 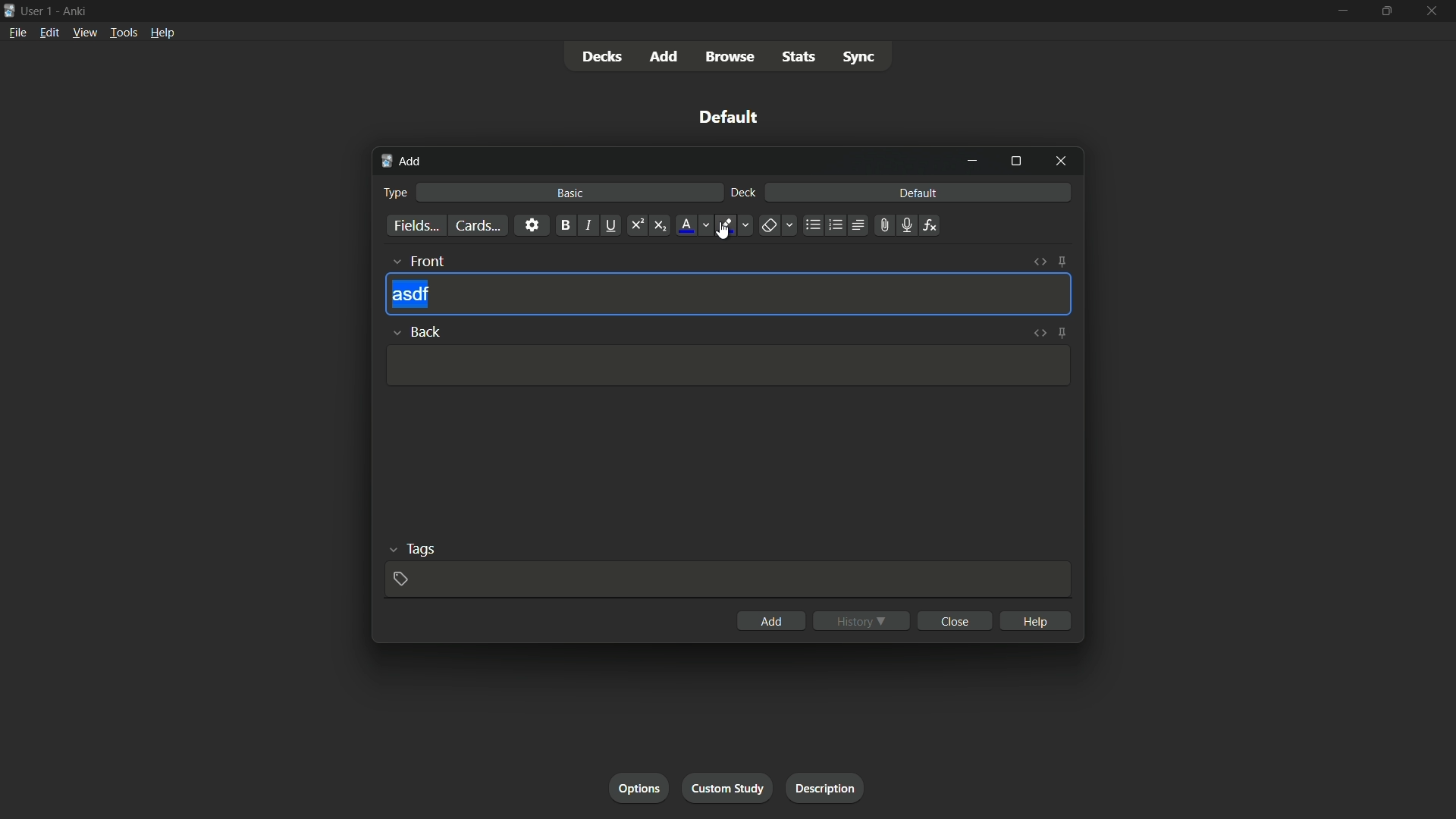 I want to click on close, so click(x=1430, y=11).